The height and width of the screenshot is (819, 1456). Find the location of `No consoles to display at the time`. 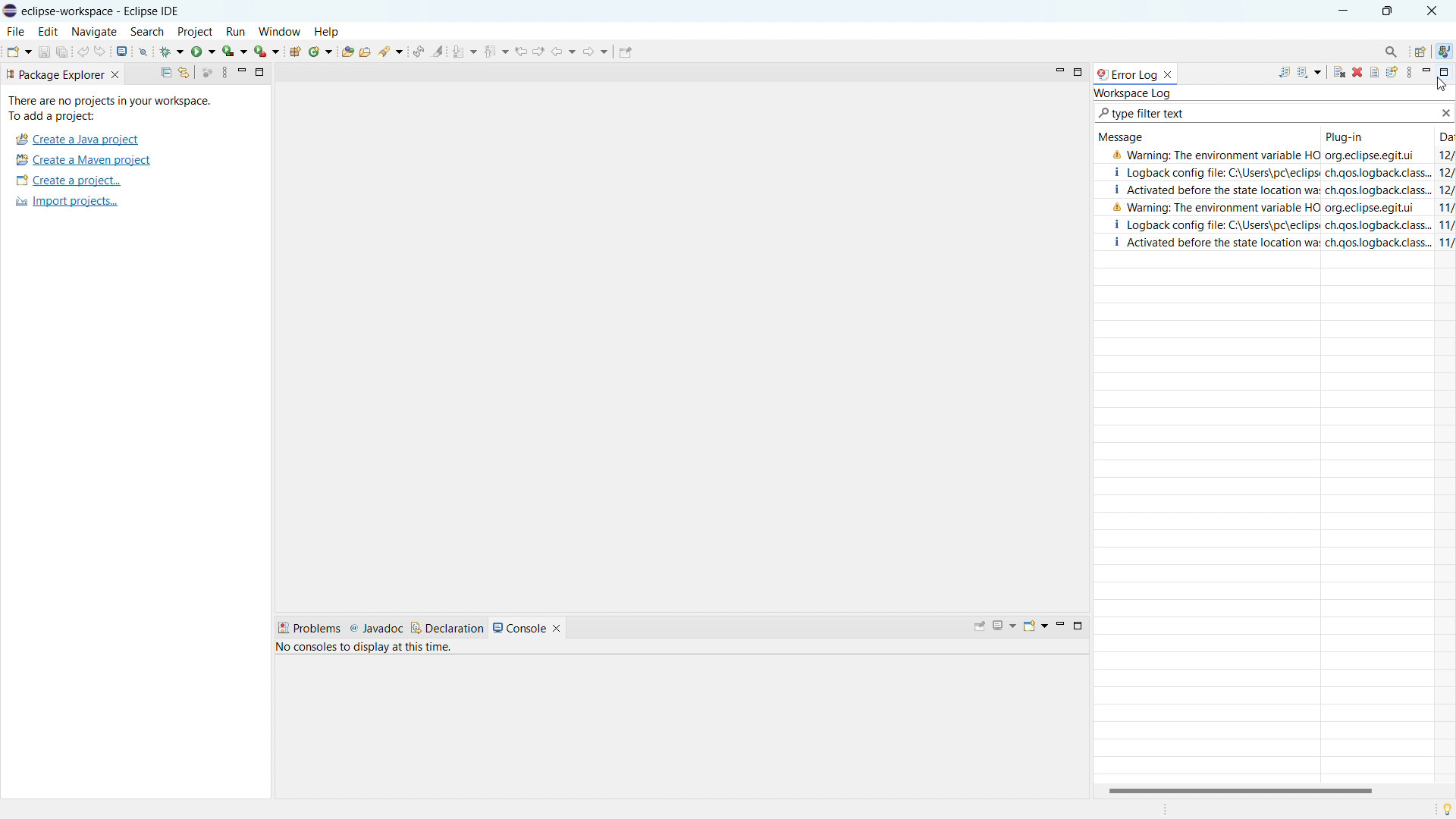

No consoles to display at the time is located at coordinates (457, 652).